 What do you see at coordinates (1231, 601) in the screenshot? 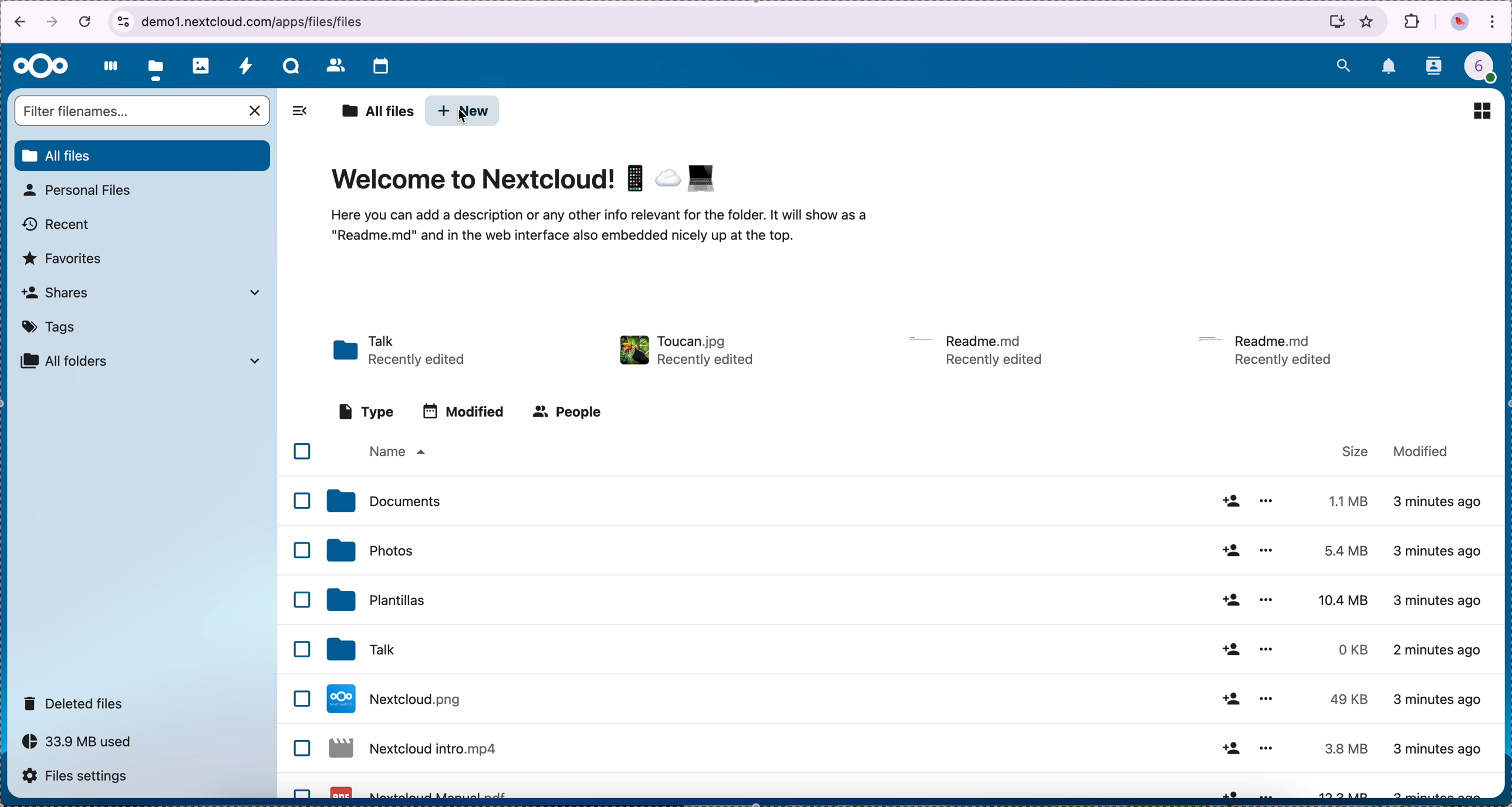
I see `share` at bounding box center [1231, 601].